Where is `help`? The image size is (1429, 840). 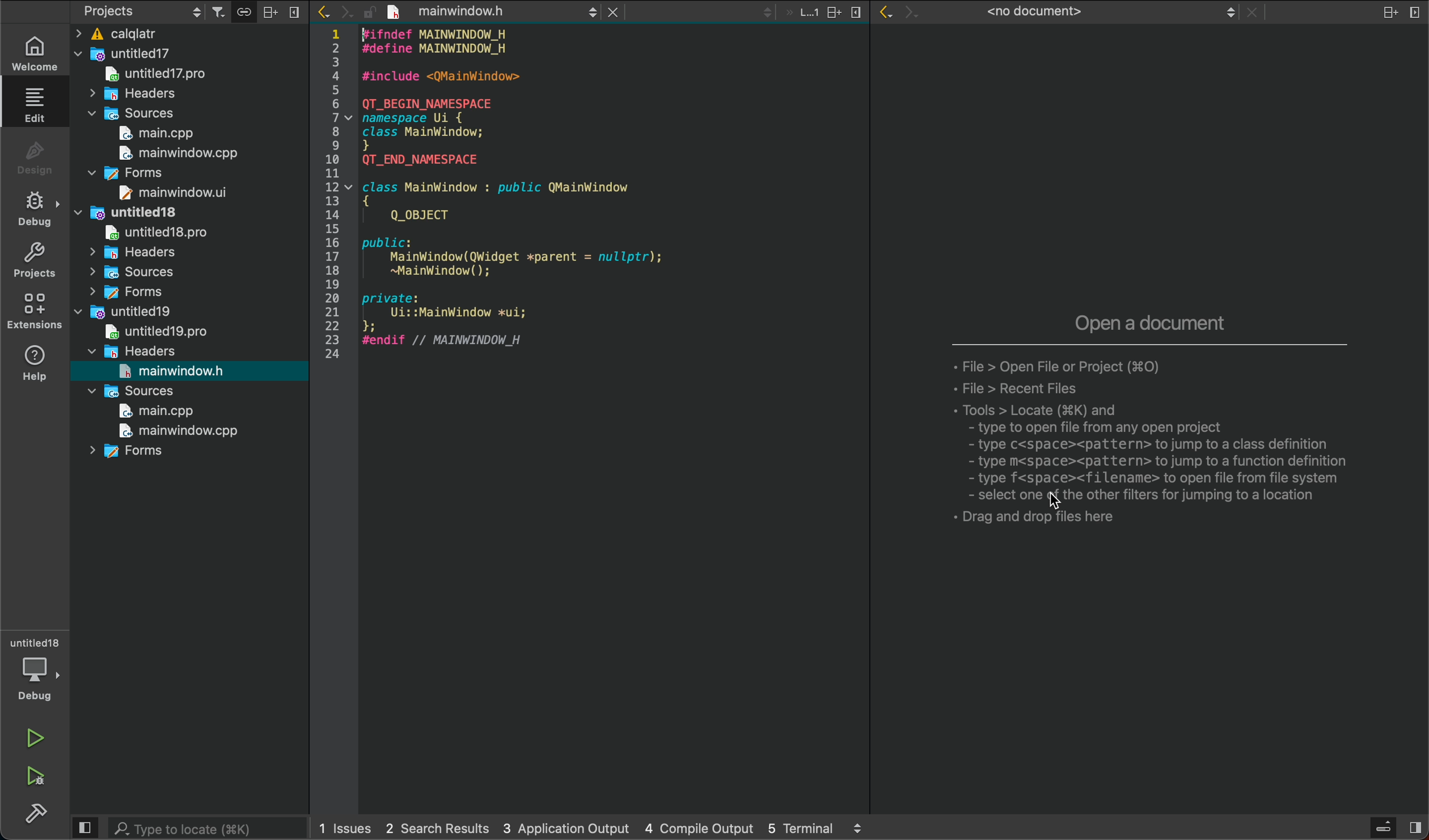
help is located at coordinates (35, 361).